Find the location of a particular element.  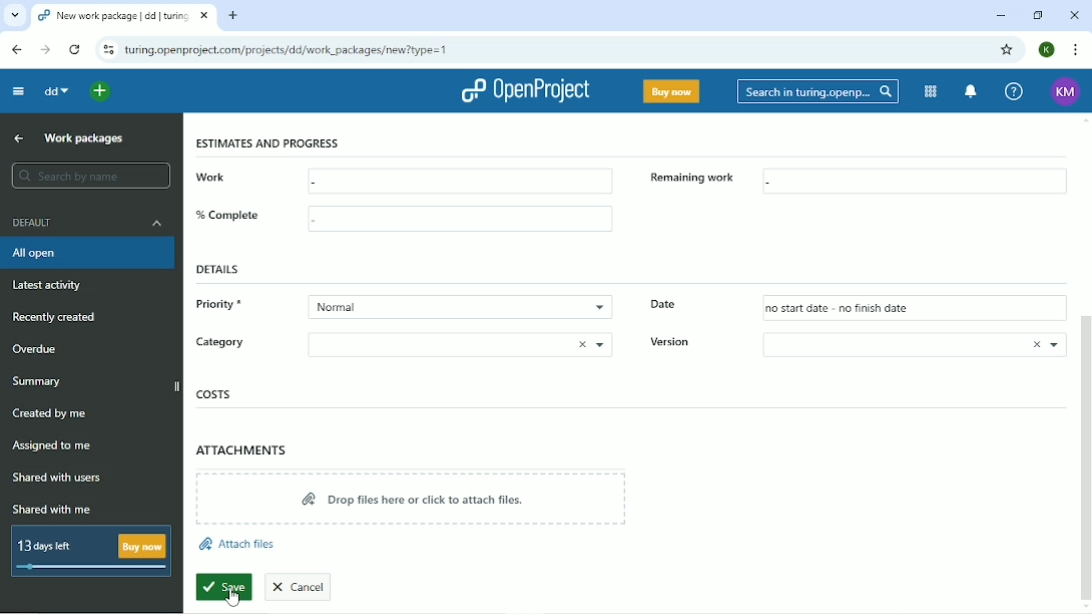

version box is located at coordinates (906, 346).